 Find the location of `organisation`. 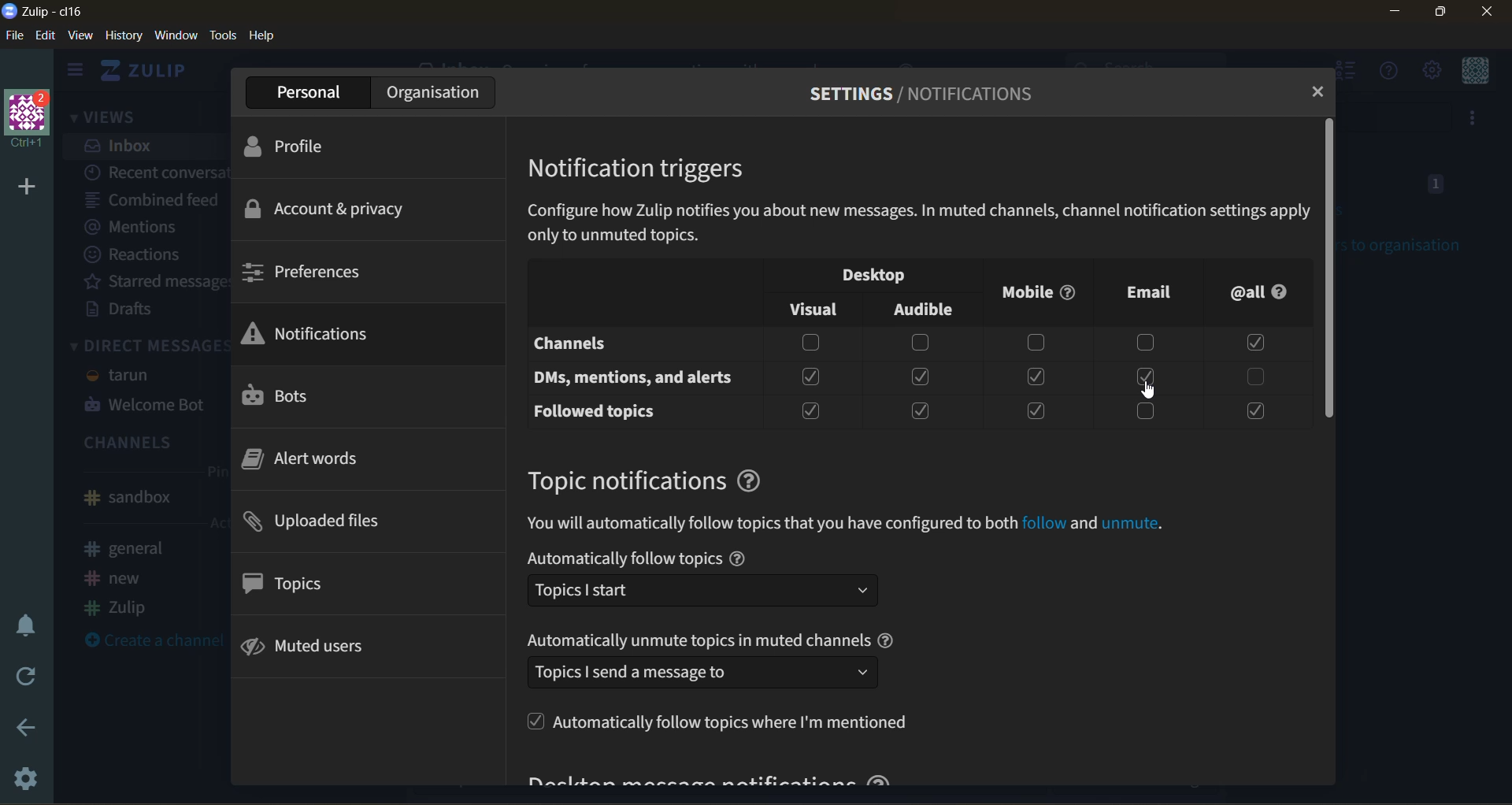

organisation is located at coordinates (430, 93).